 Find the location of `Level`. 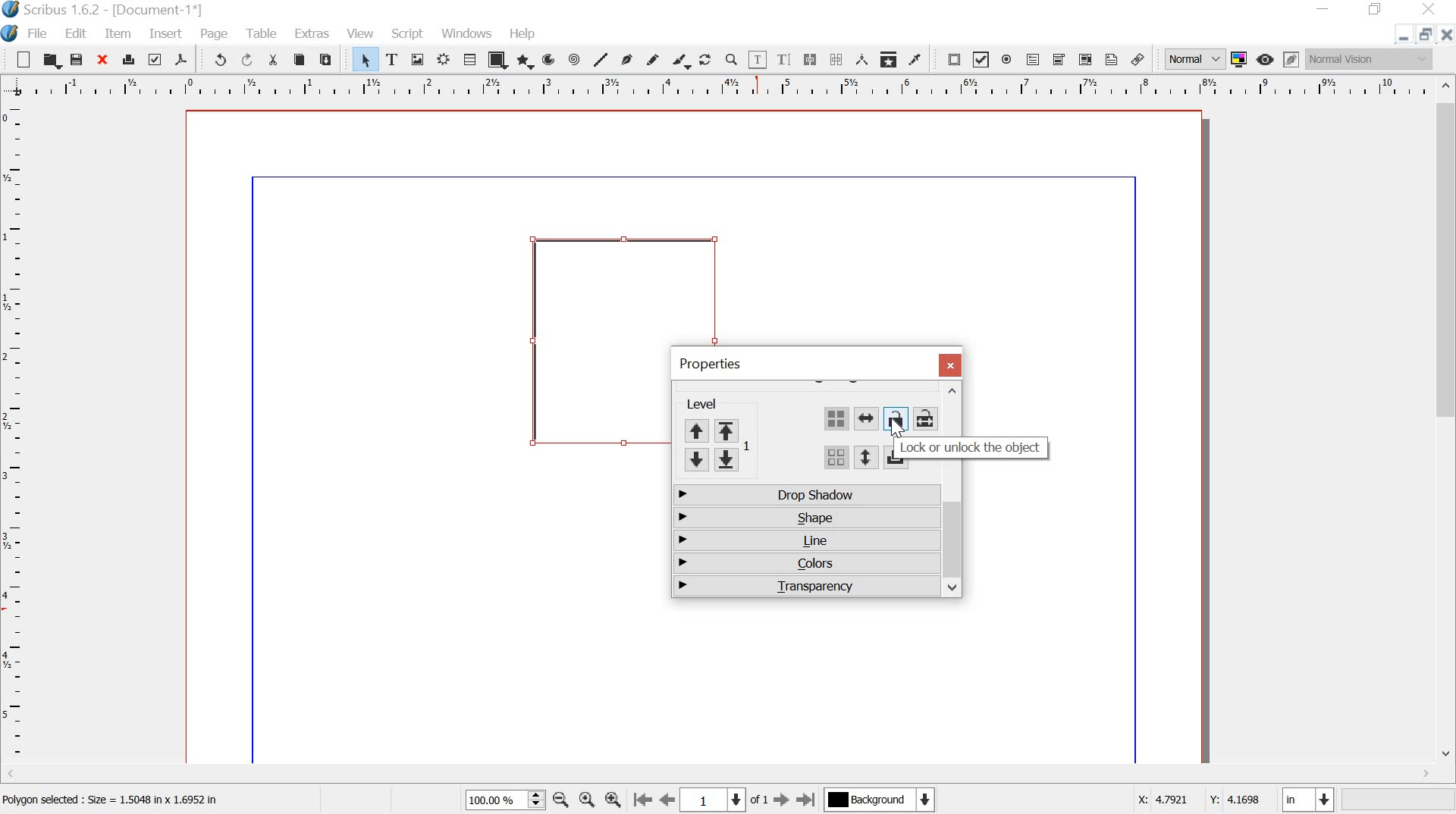

Level is located at coordinates (714, 404).